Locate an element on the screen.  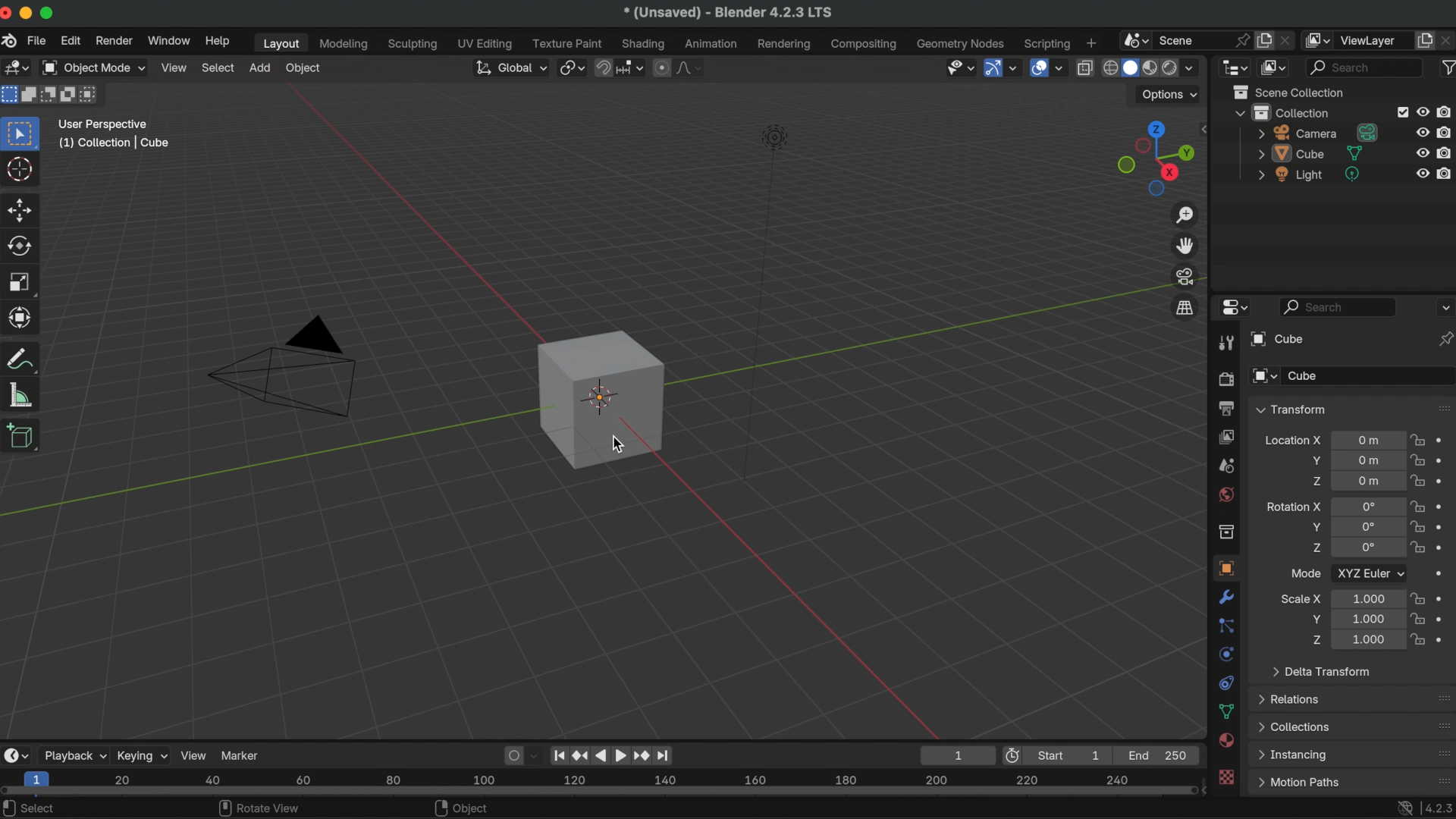
show gizmo is located at coordinates (992, 69).